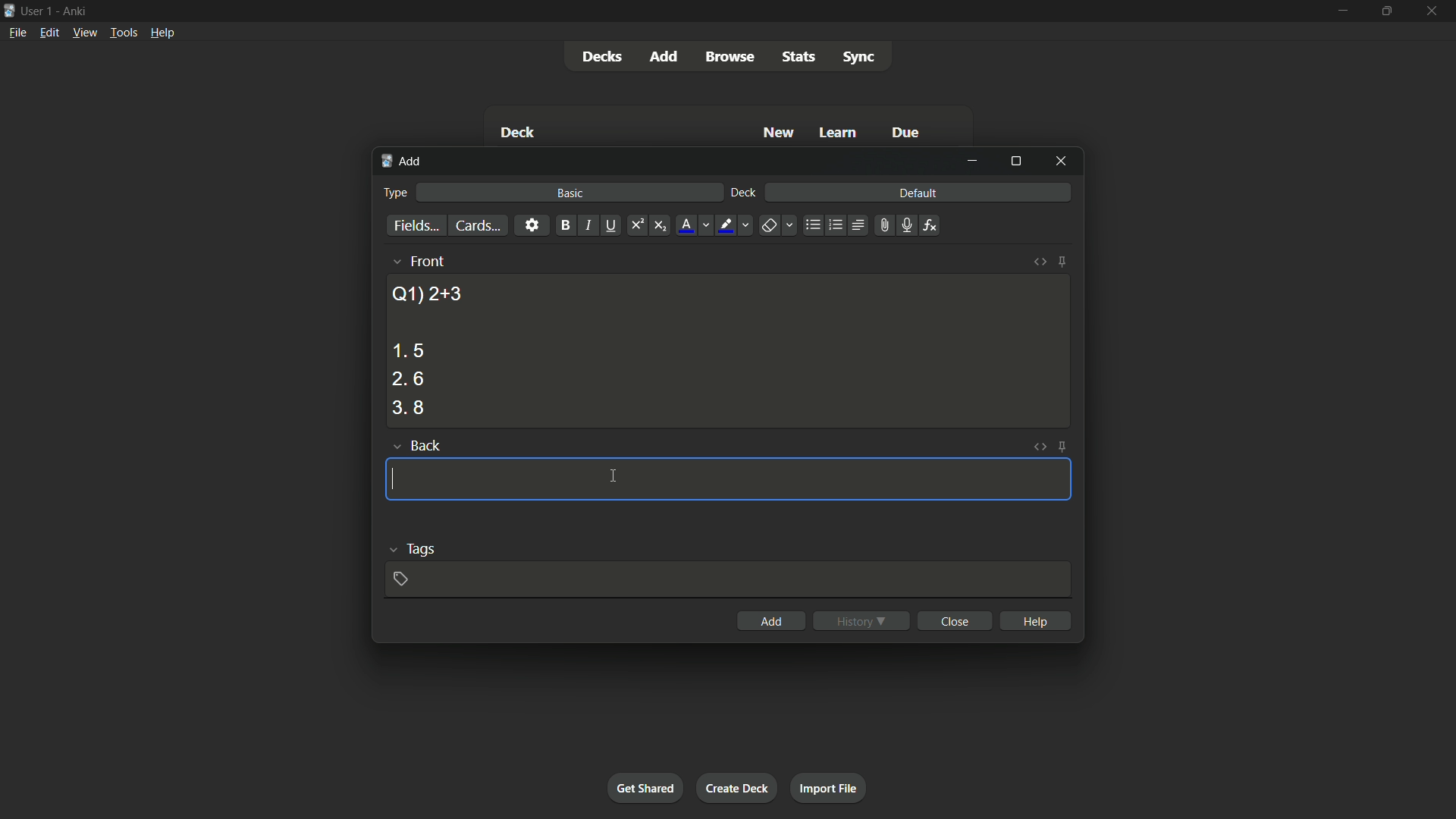 This screenshot has height=819, width=1456. What do you see at coordinates (861, 621) in the screenshot?
I see `history` at bounding box center [861, 621].